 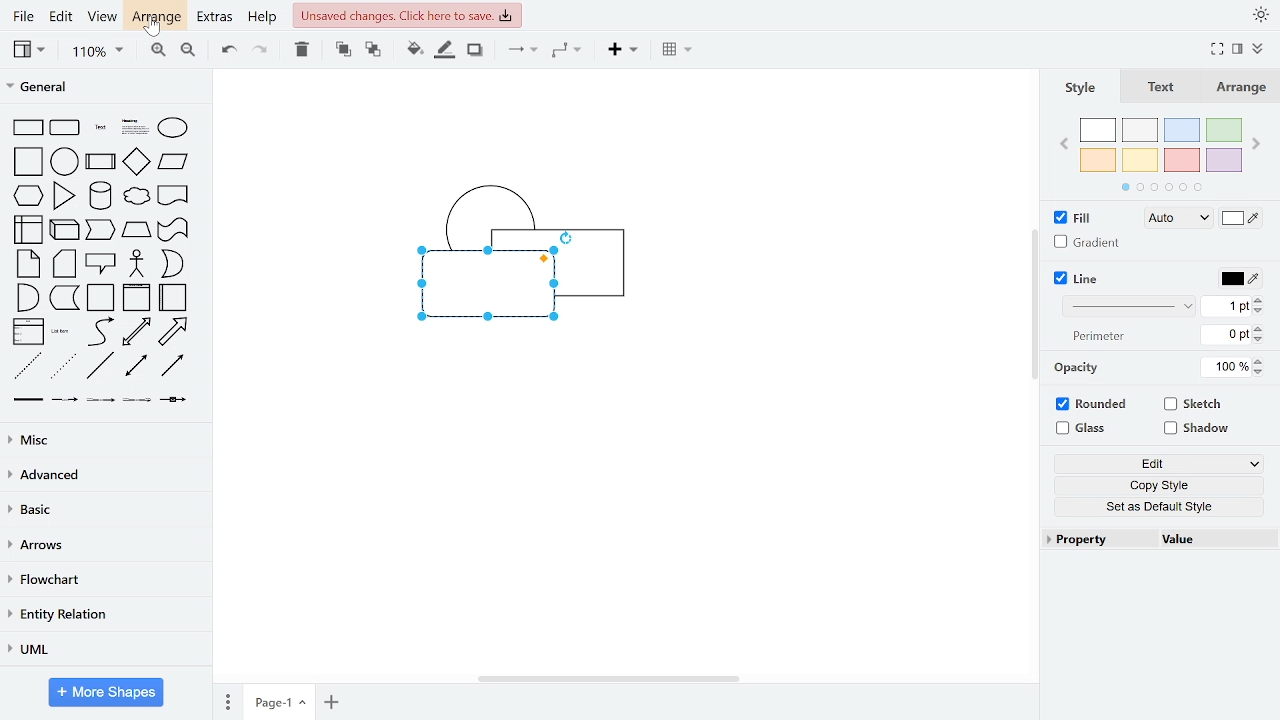 I want to click on full screen, so click(x=1217, y=49).